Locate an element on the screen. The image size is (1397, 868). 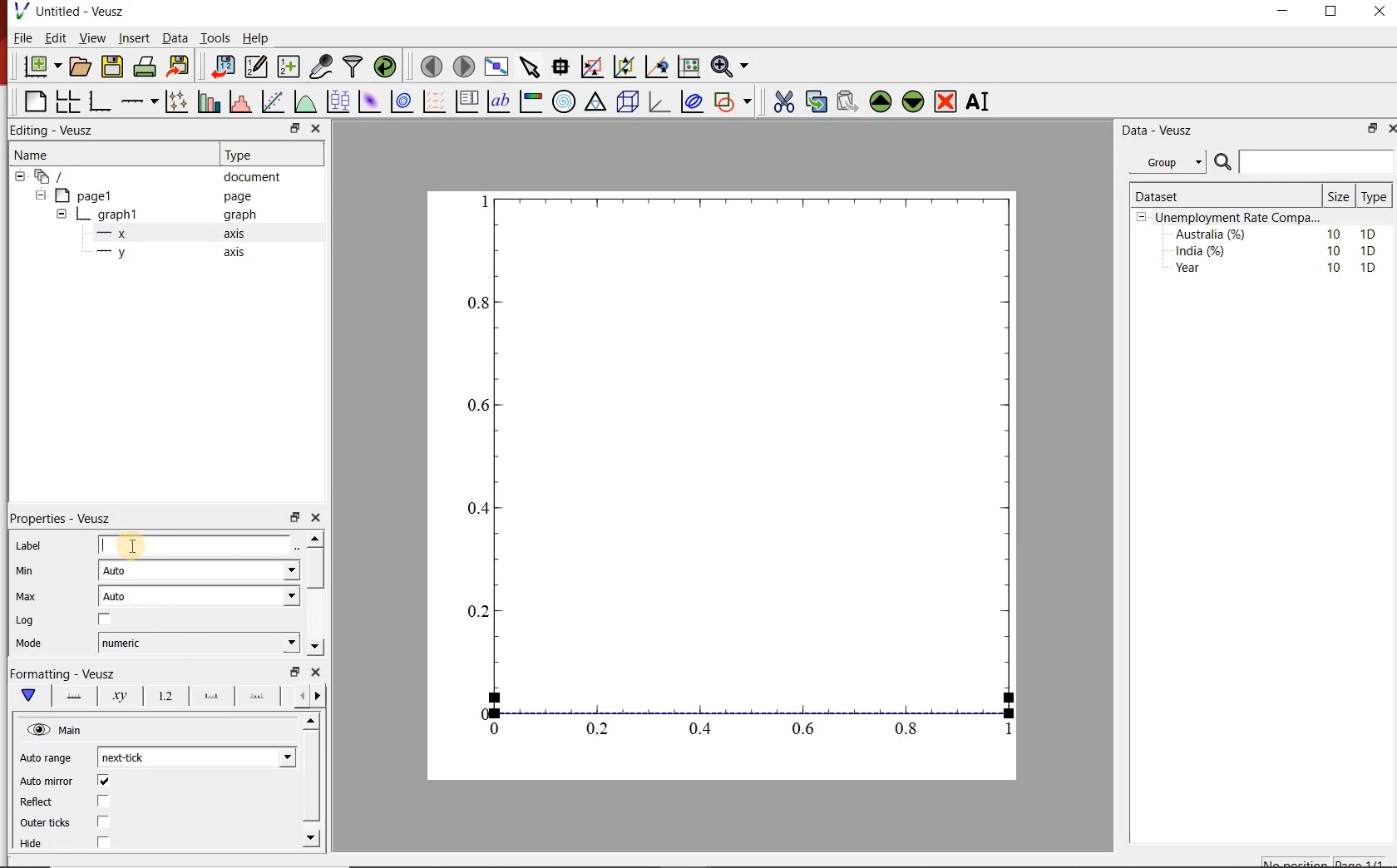
Outer ticks is located at coordinates (46, 823).